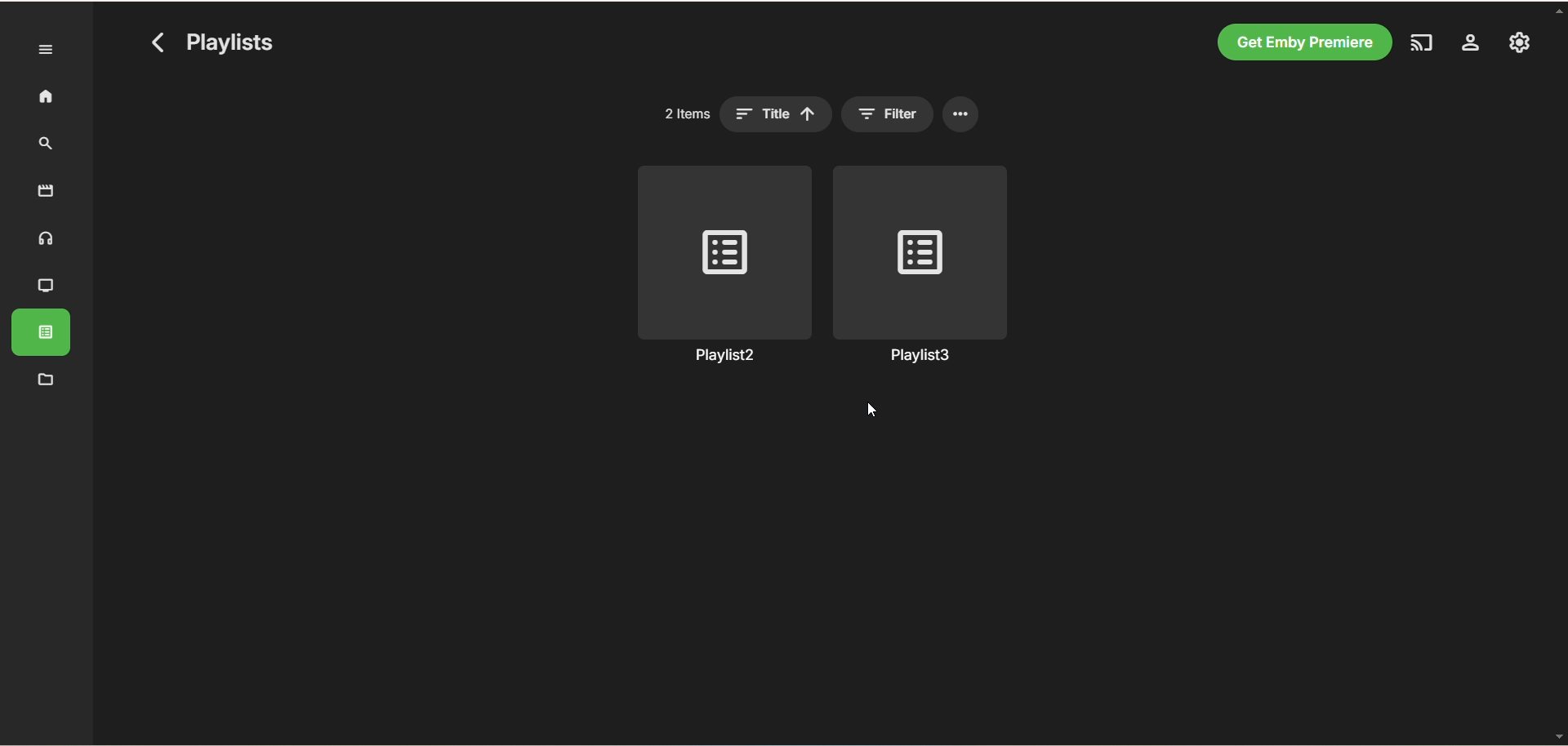 The height and width of the screenshot is (746, 1568). I want to click on options, so click(961, 114).